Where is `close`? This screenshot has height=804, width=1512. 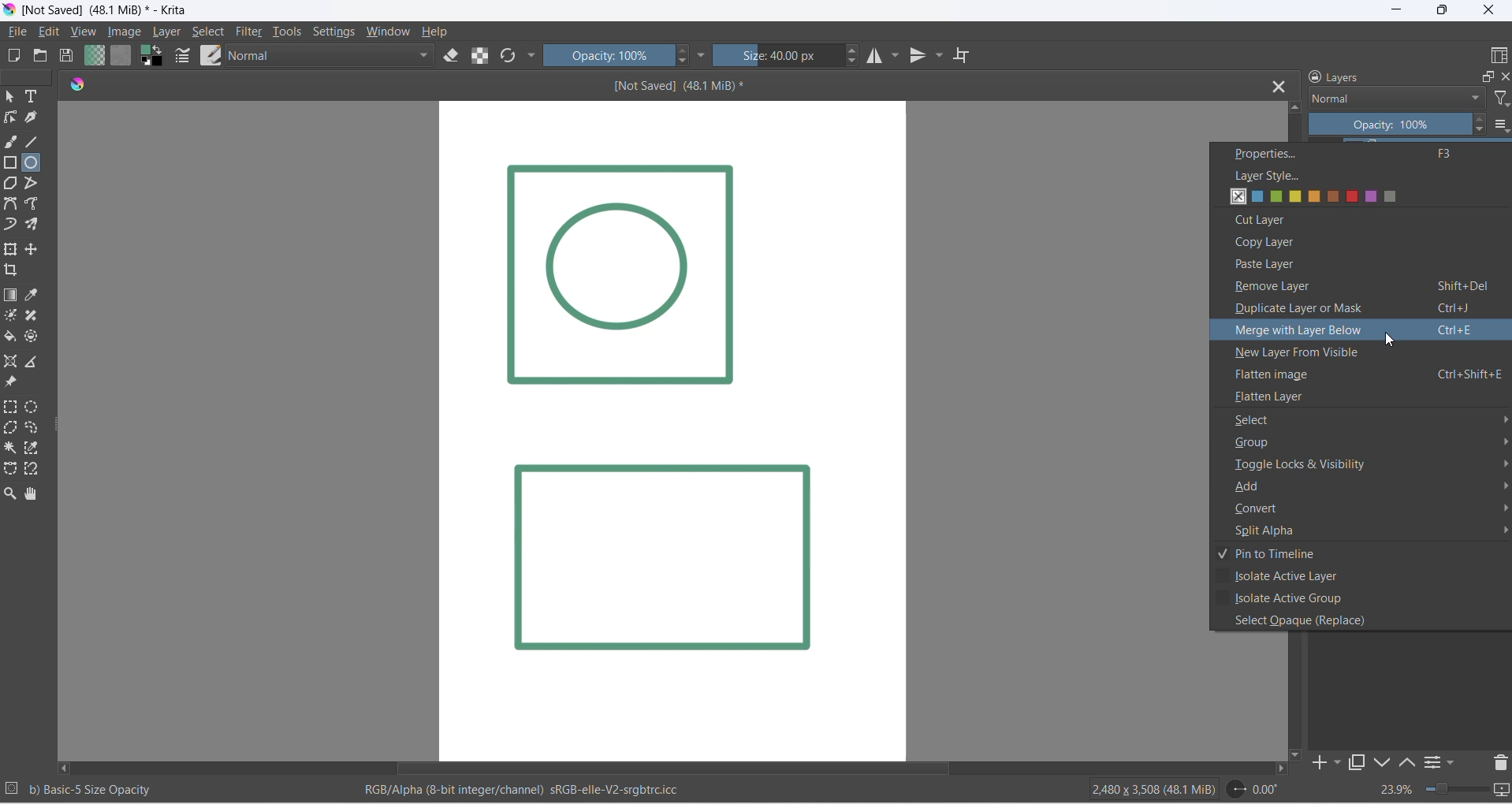
close is located at coordinates (1503, 73).